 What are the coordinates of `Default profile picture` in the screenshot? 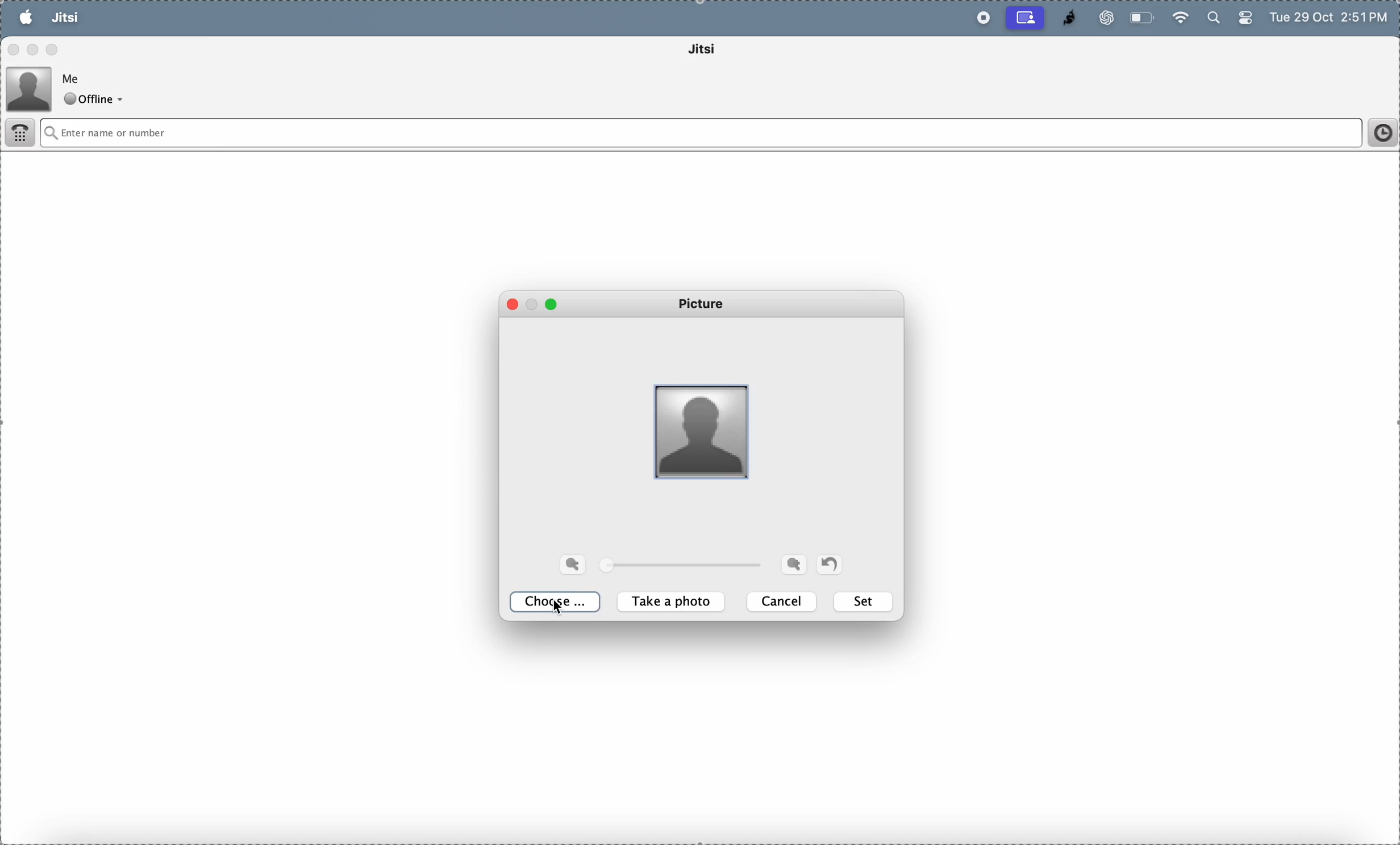 It's located at (698, 429).